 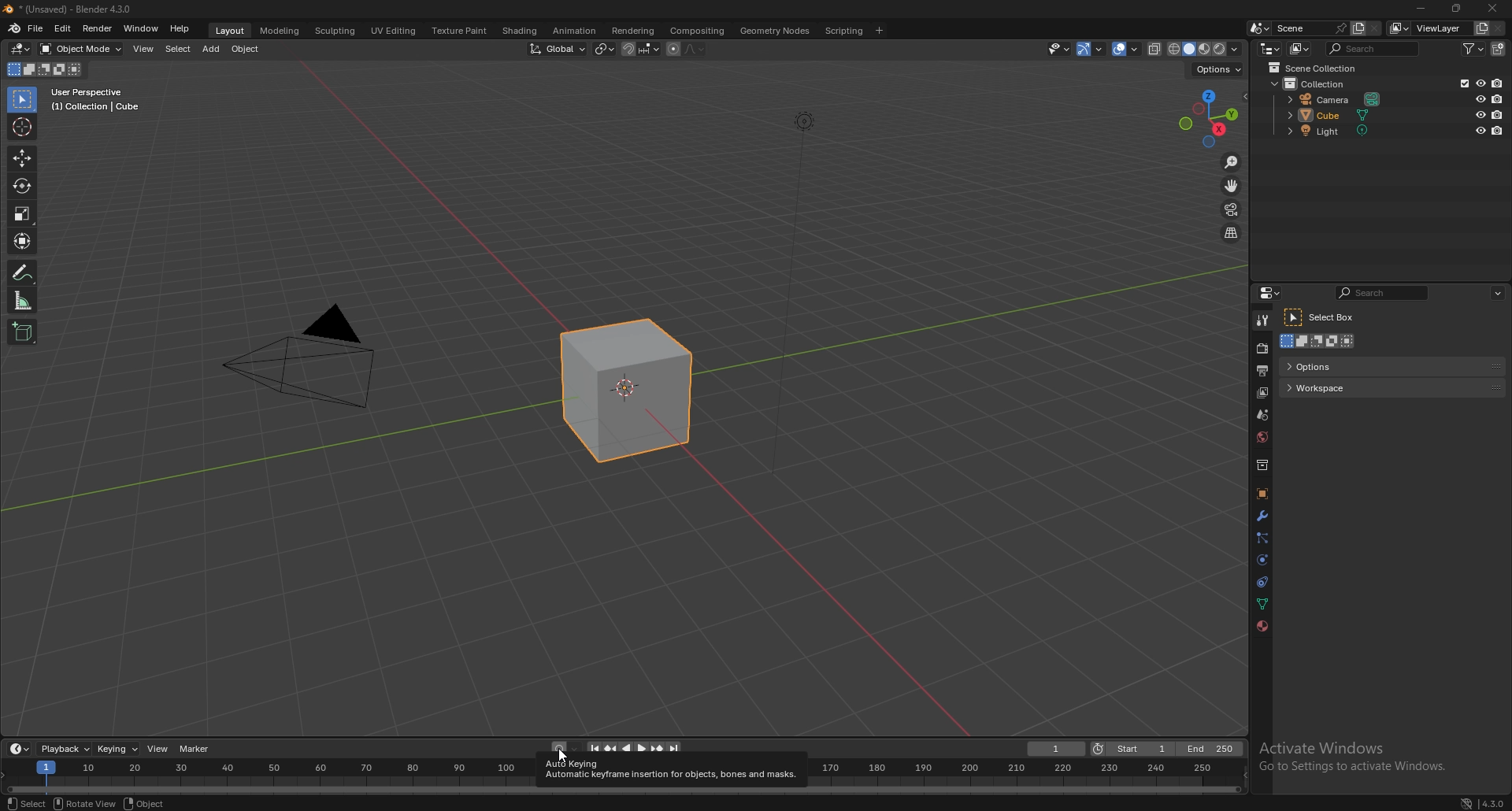 What do you see at coordinates (1092, 48) in the screenshot?
I see `gizmo` at bounding box center [1092, 48].